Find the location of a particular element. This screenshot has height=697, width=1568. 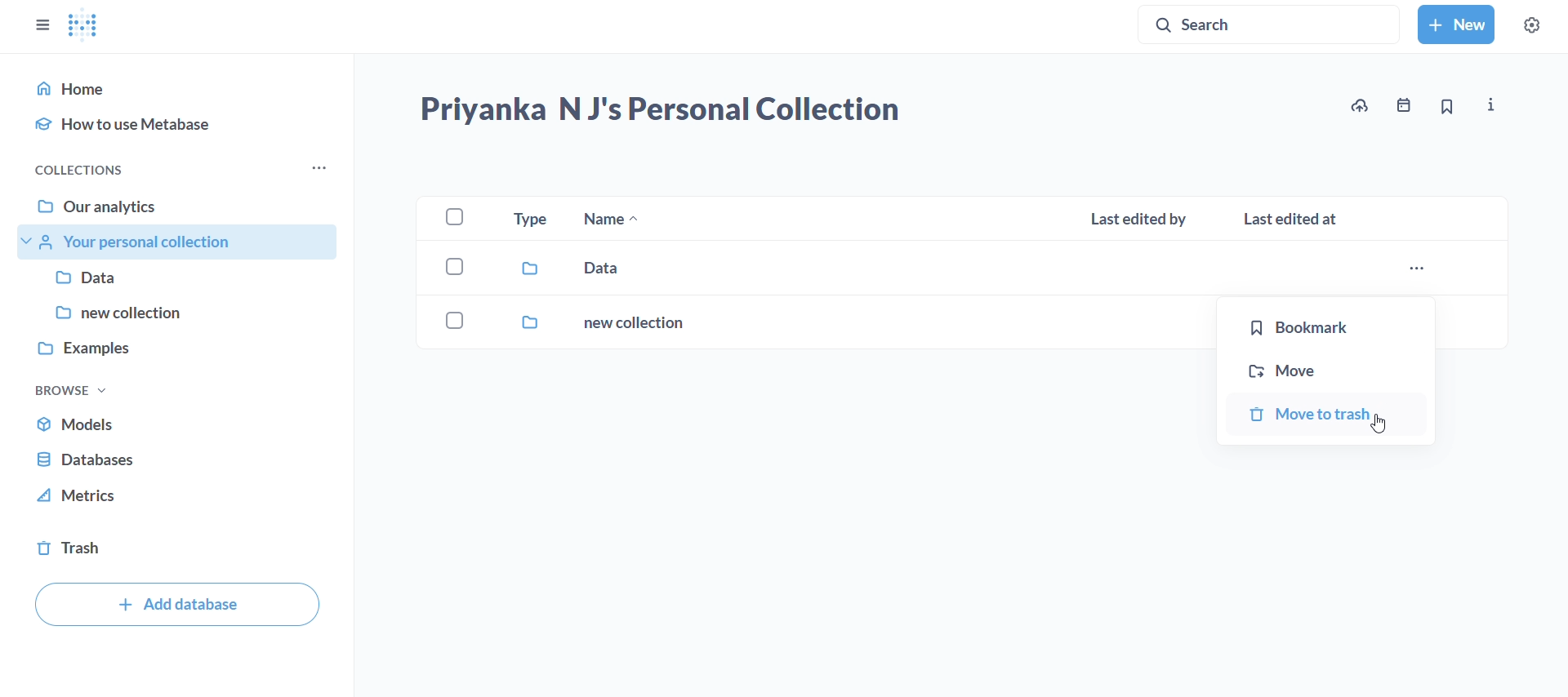

models is located at coordinates (187, 426).